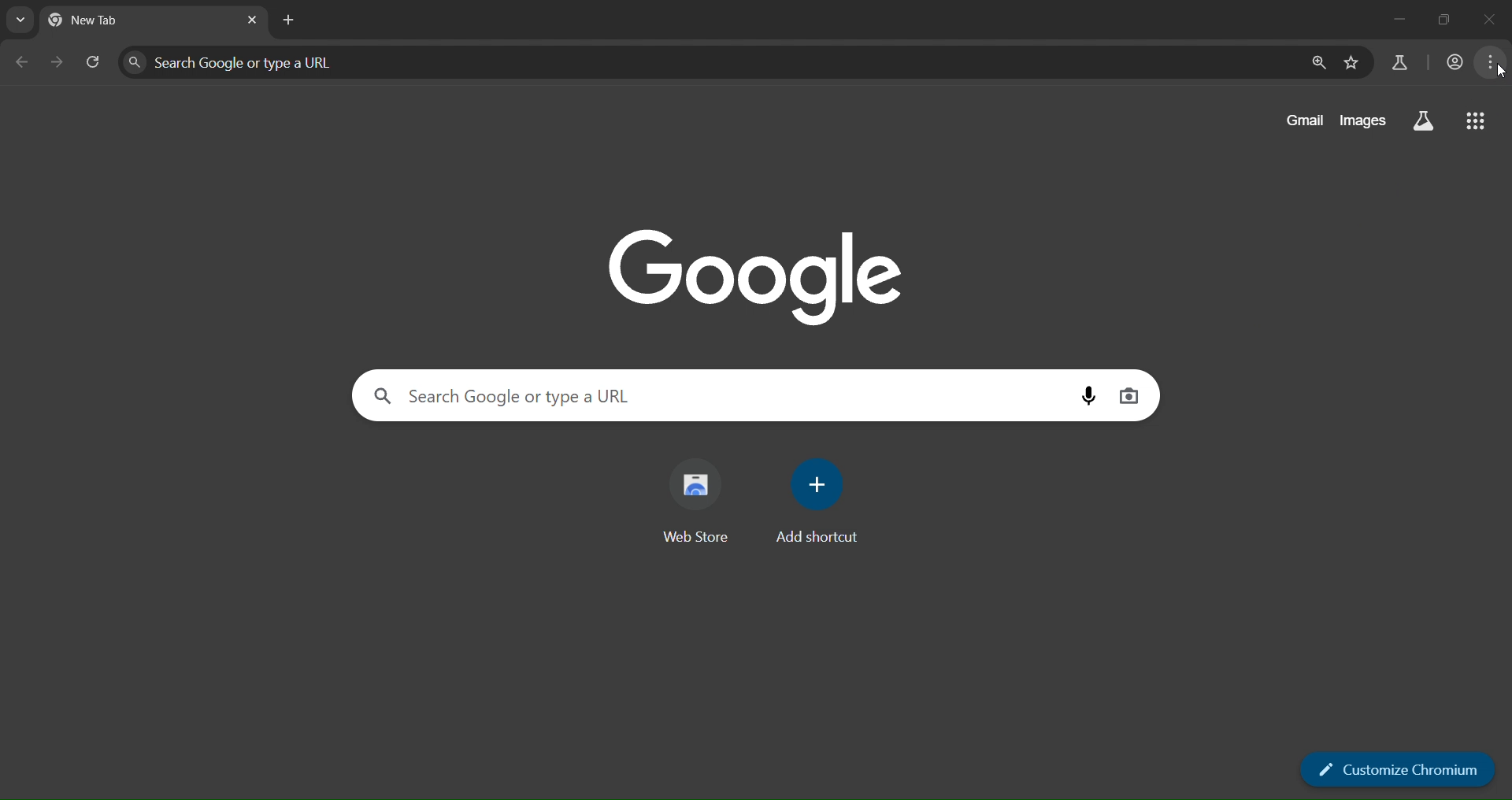  I want to click on Search Google or type a URL, so click(717, 397).